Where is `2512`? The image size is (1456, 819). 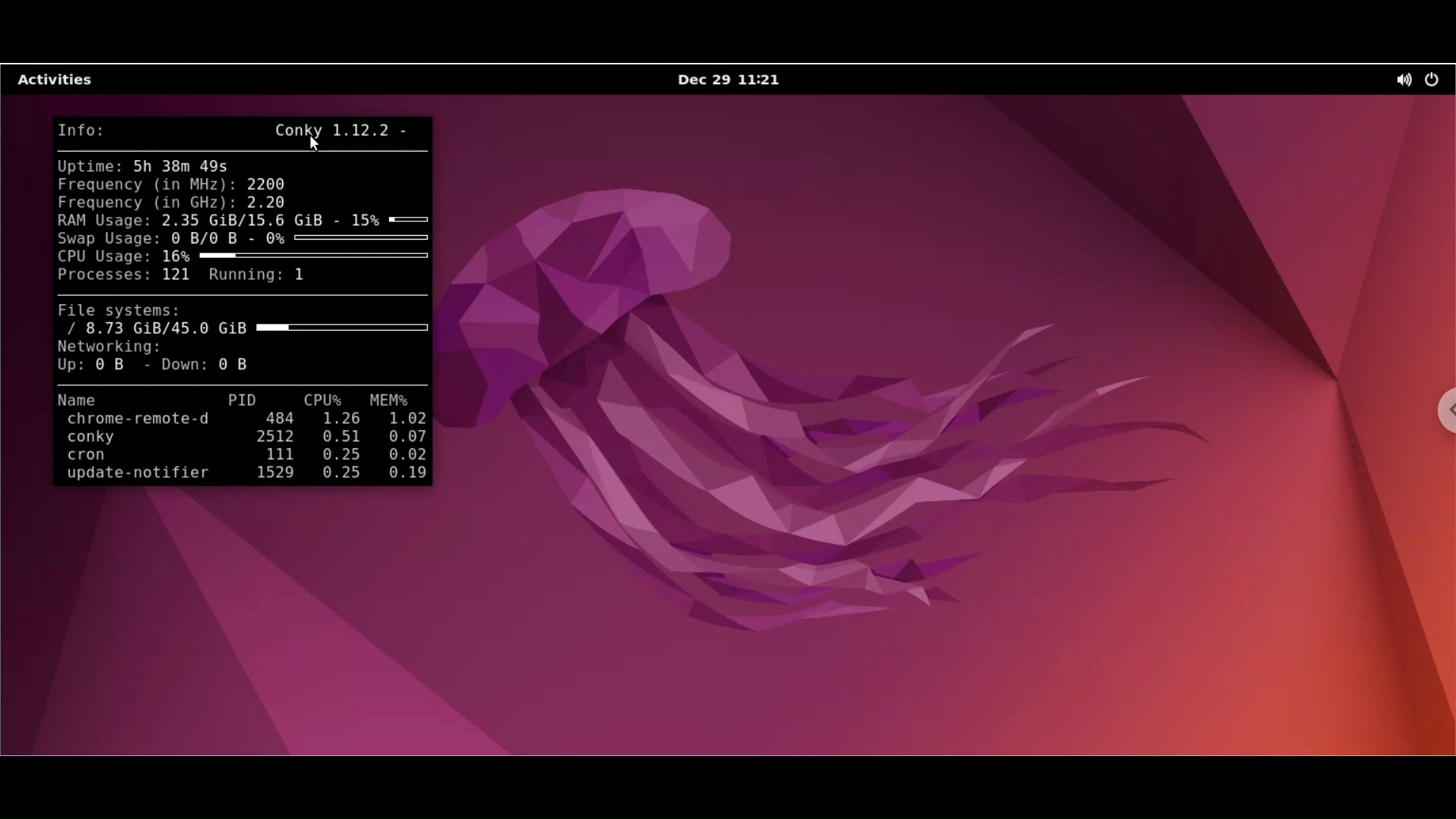 2512 is located at coordinates (277, 438).